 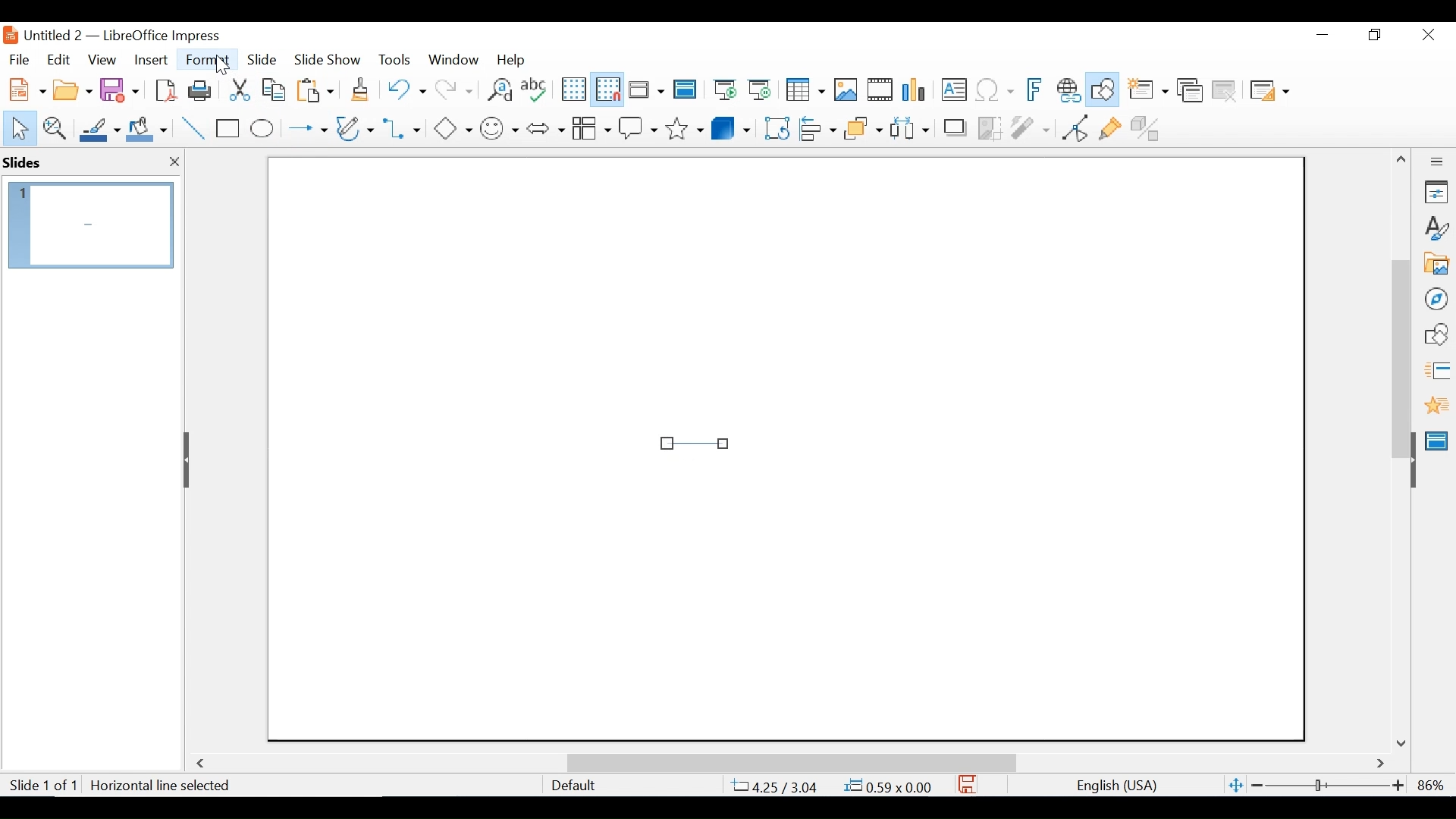 I want to click on , so click(x=591, y=127).